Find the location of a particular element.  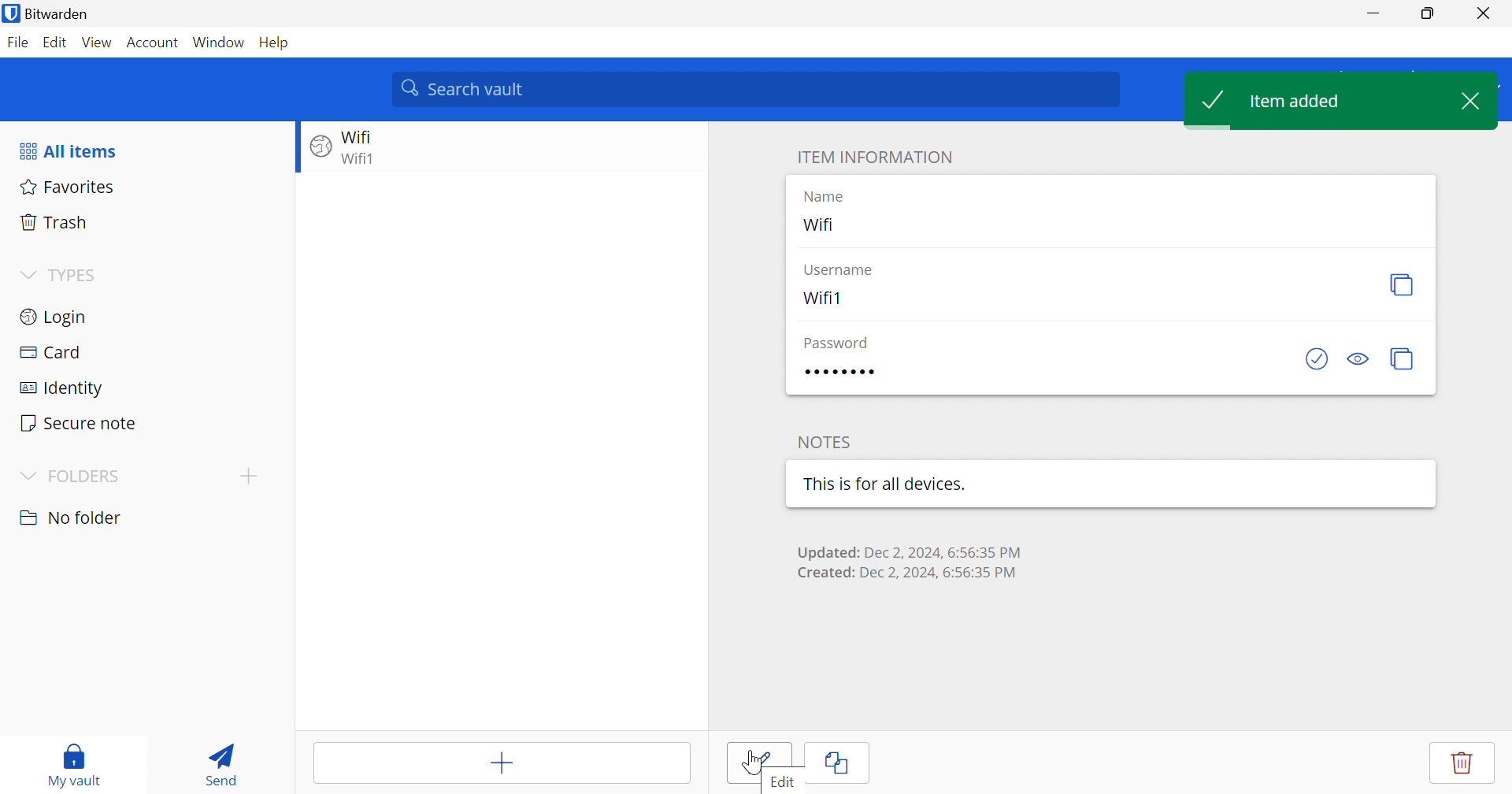

Drop Down is located at coordinates (25, 477).